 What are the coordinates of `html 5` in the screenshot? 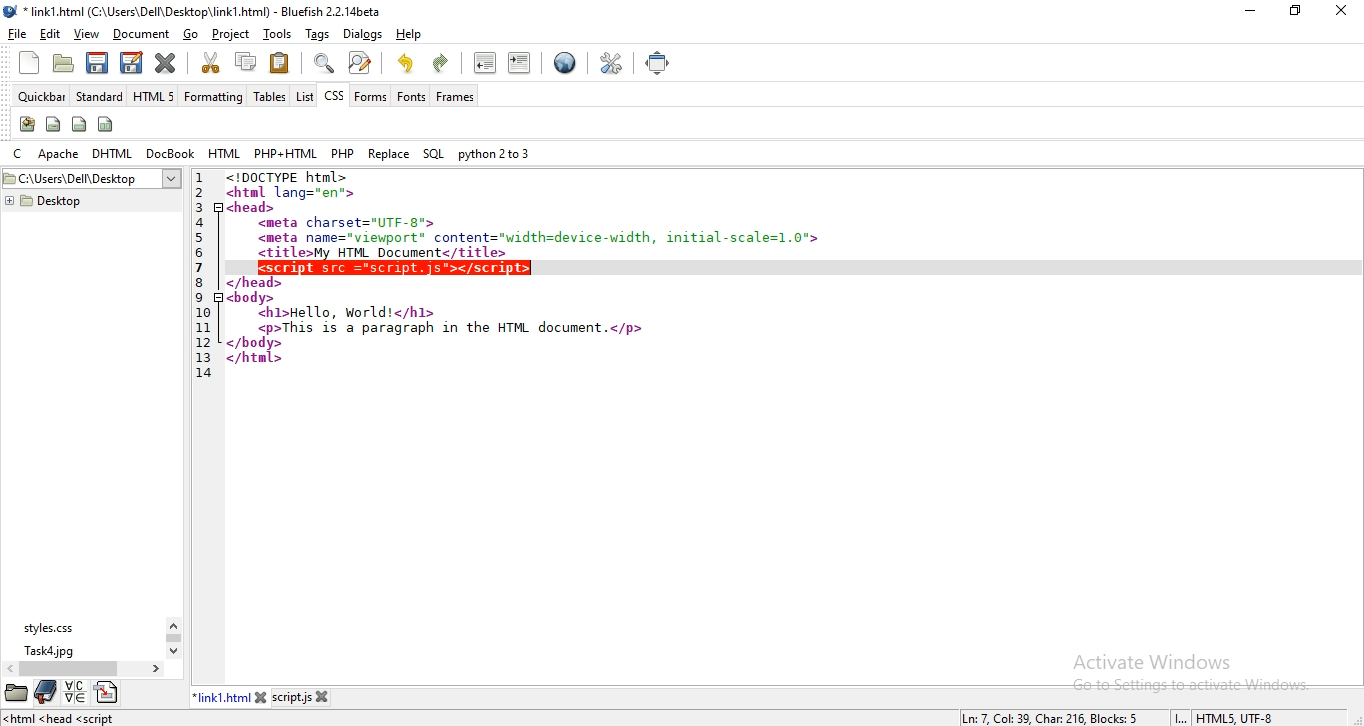 It's located at (154, 95).